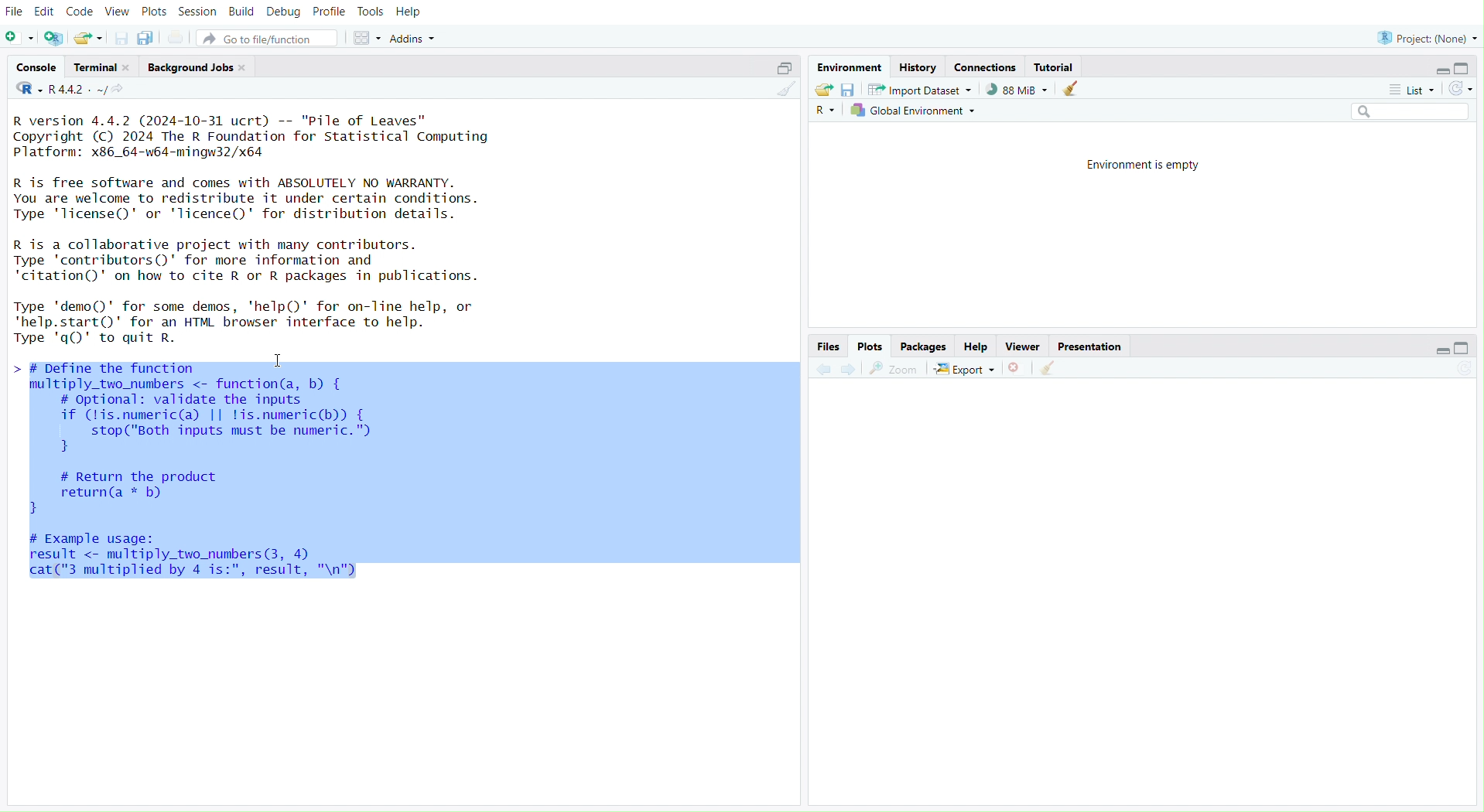  Describe the element at coordinates (850, 89) in the screenshot. I see `Save workspace as` at that location.